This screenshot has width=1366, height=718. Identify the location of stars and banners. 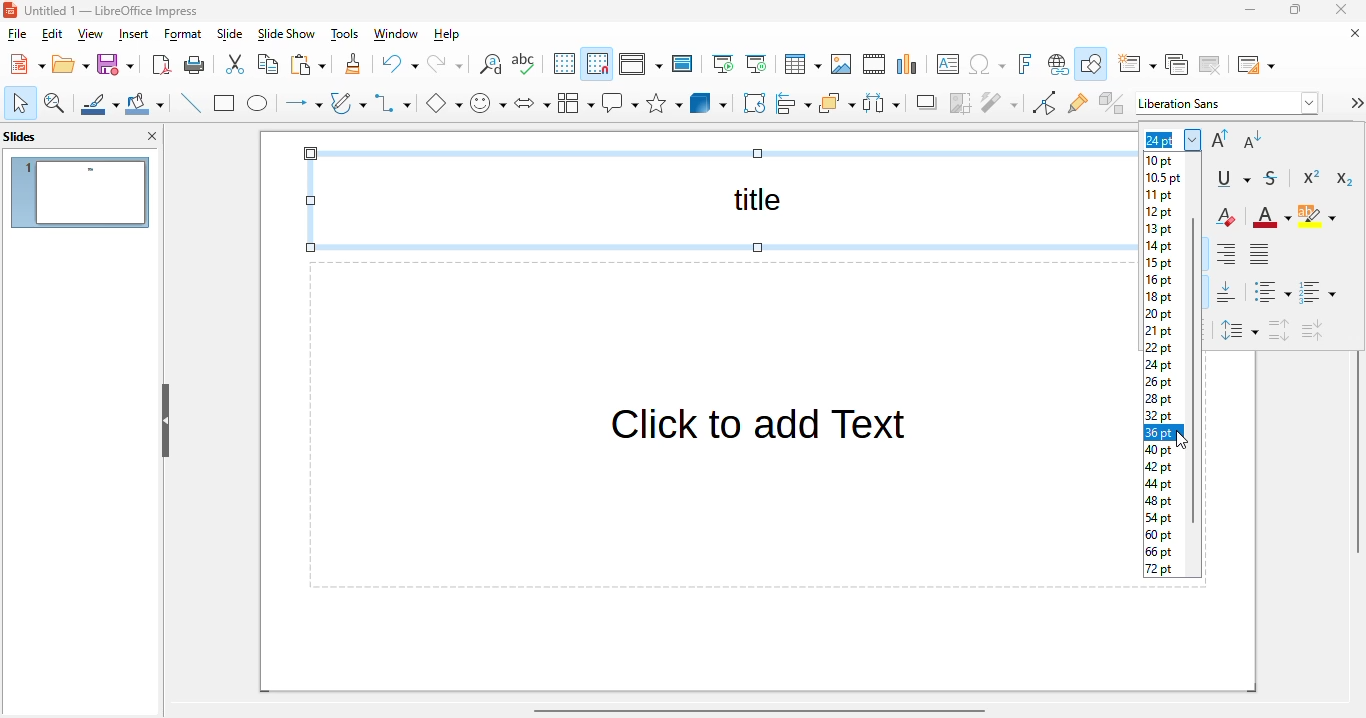
(664, 102).